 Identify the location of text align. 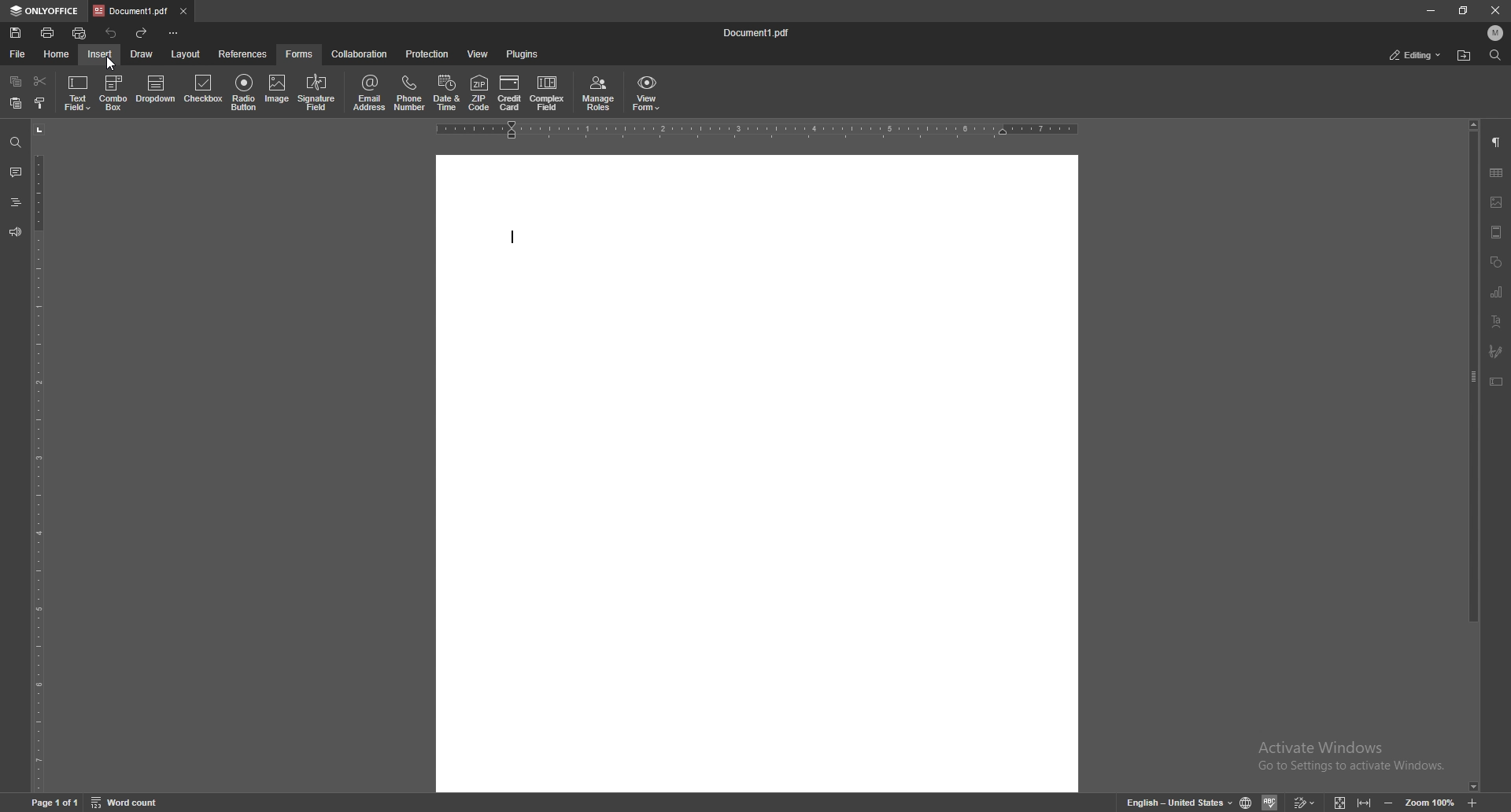
(1498, 321).